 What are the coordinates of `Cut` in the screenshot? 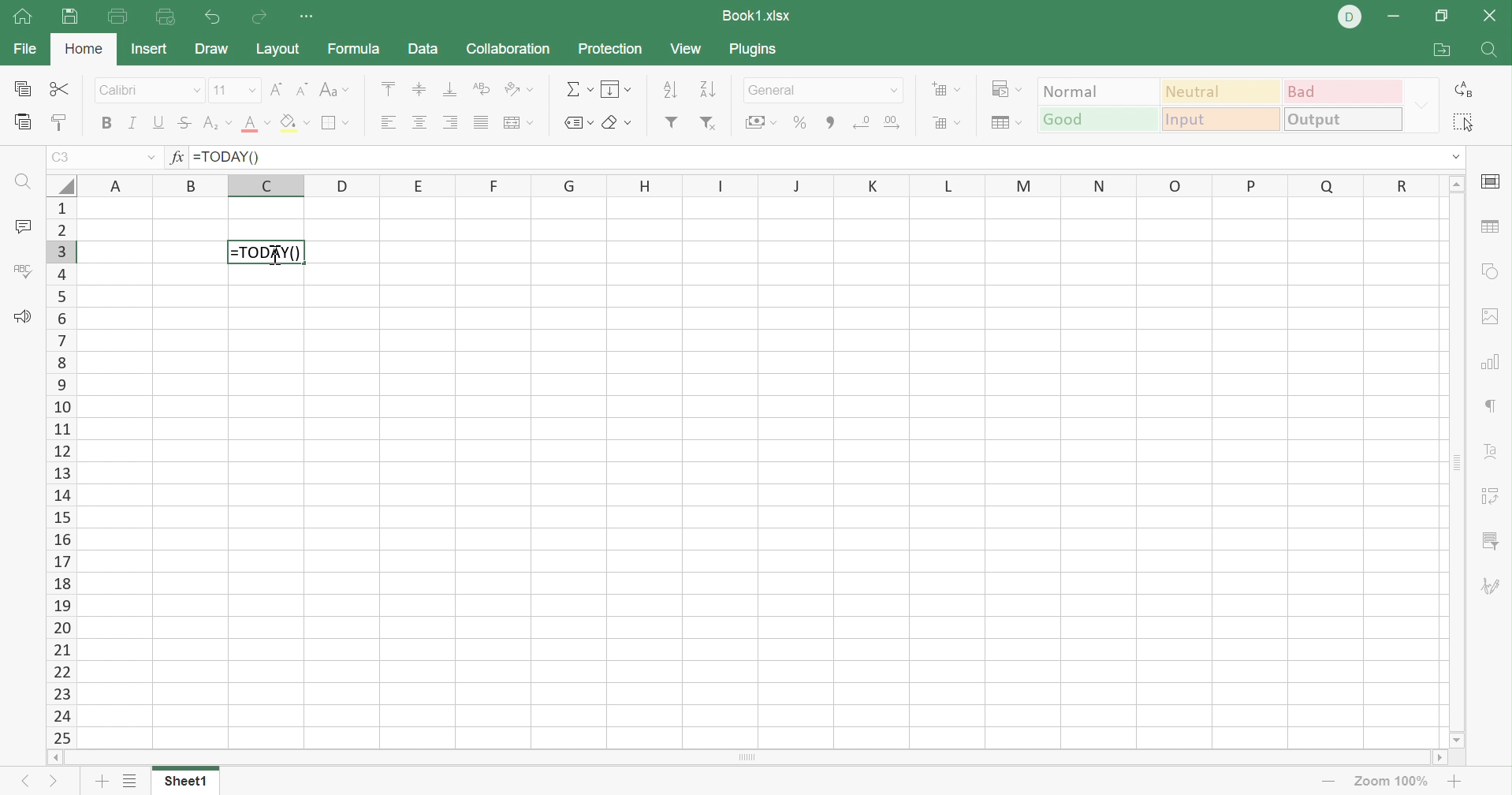 It's located at (64, 90).